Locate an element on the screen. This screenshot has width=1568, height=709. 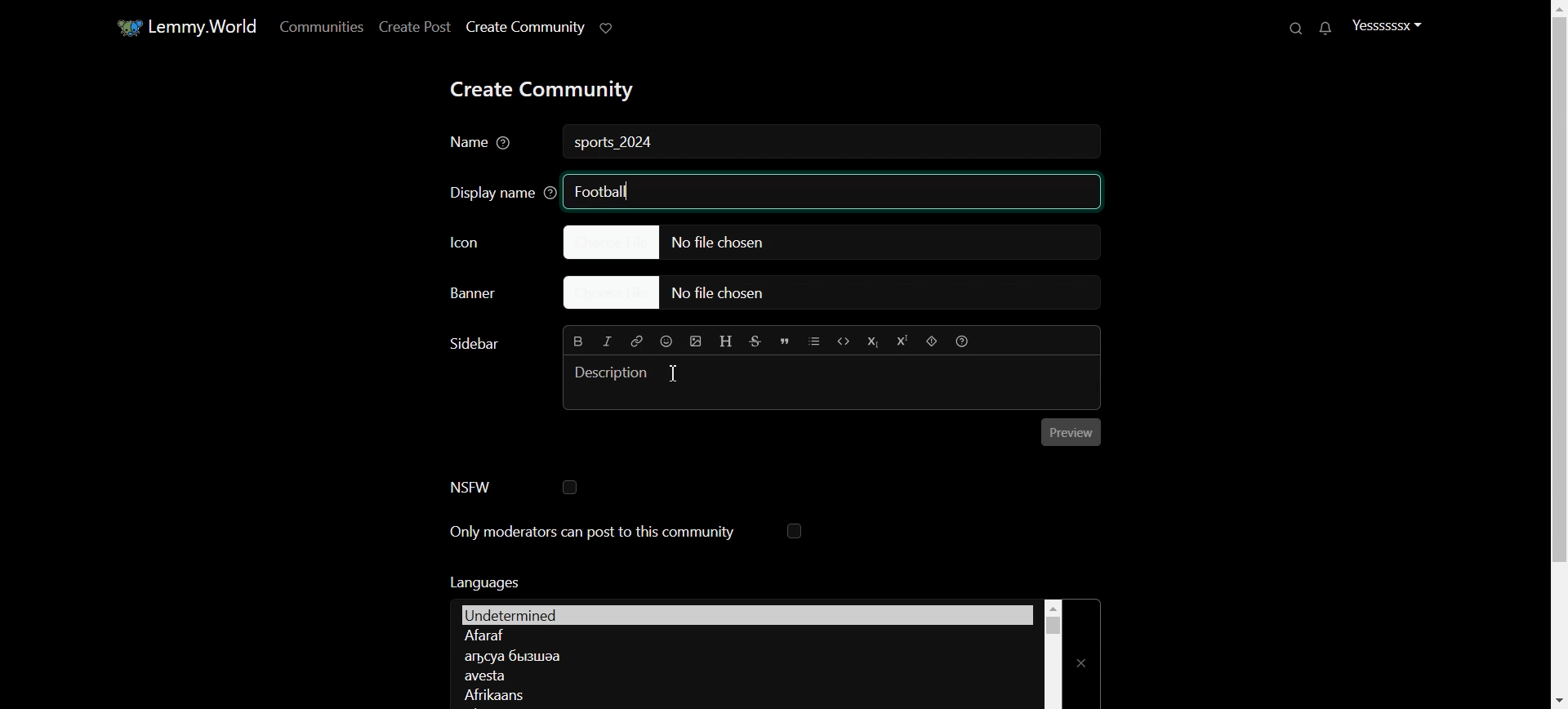
Languages is located at coordinates (746, 613).